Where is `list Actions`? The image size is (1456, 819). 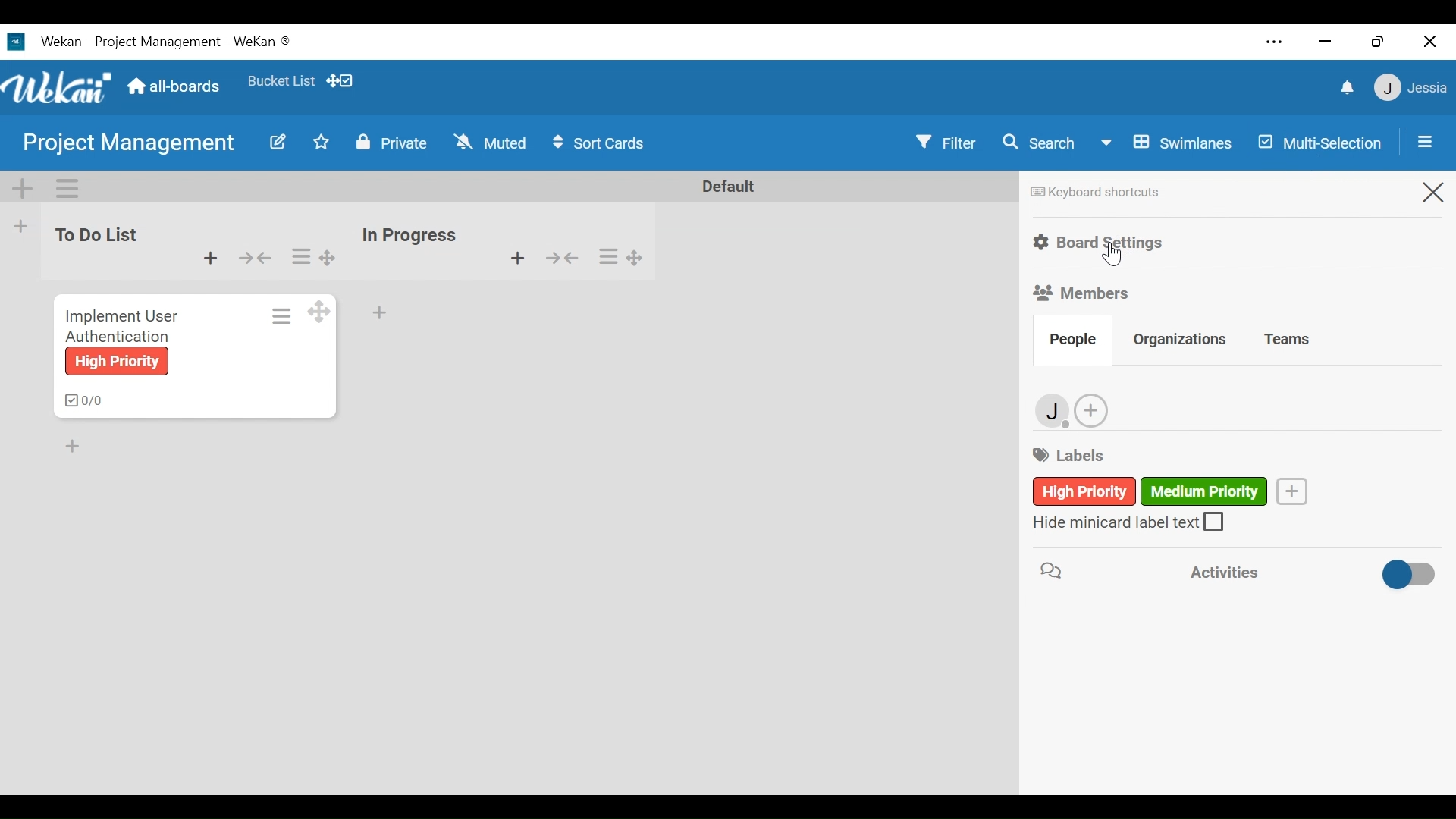 list Actions is located at coordinates (300, 257).